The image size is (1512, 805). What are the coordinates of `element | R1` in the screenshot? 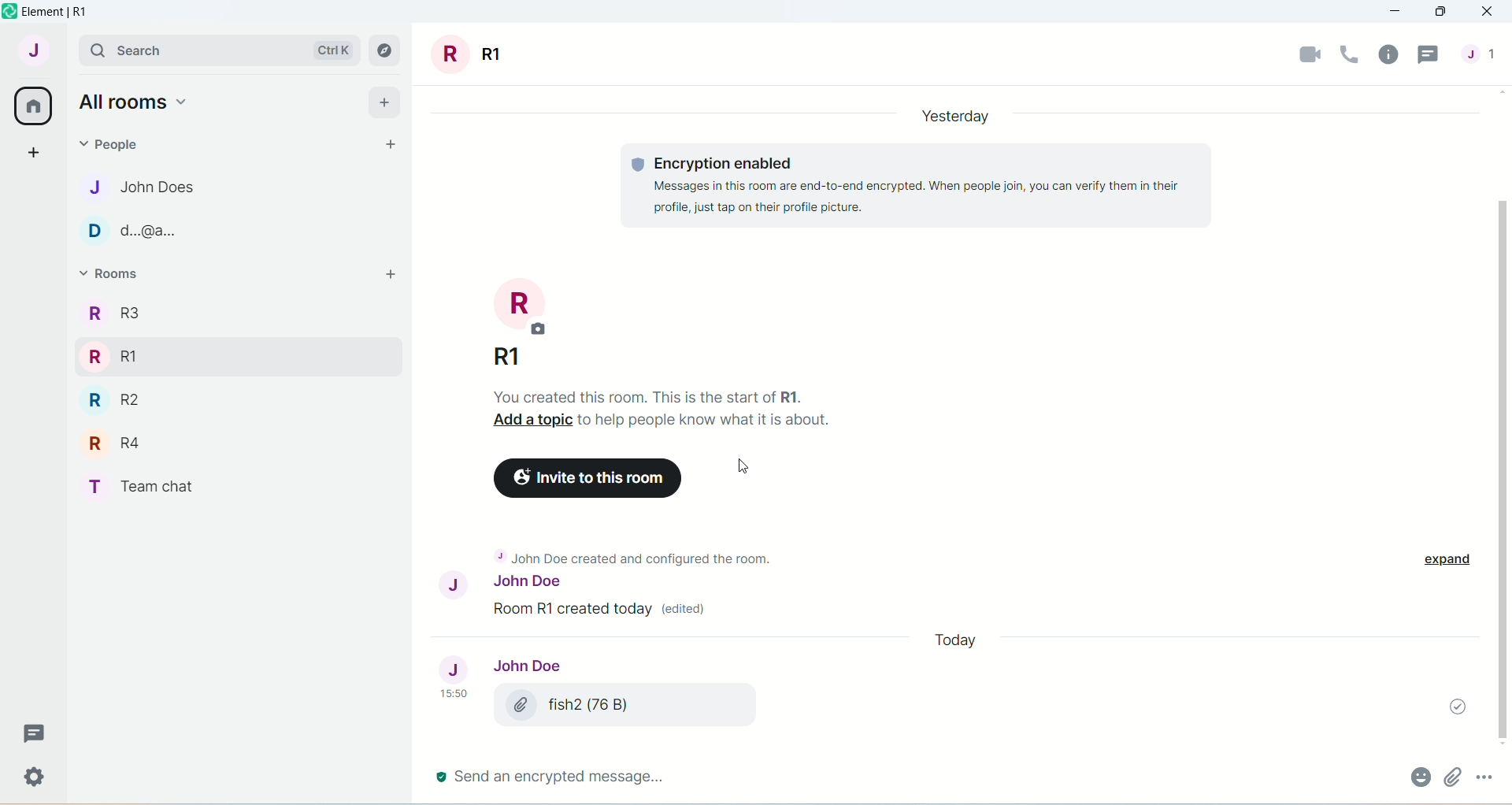 It's located at (70, 13).